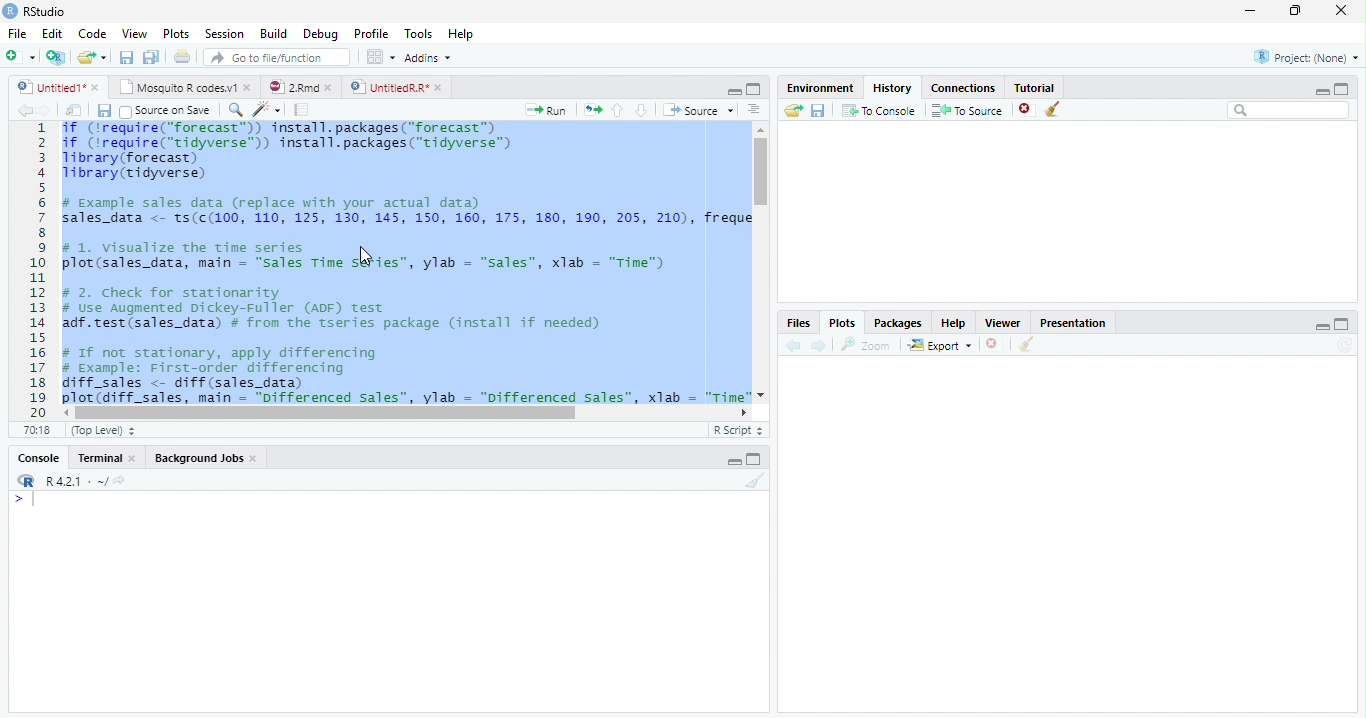 This screenshot has height=718, width=1366. What do you see at coordinates (45, 110) in the screenshot?
I see `Next` at bounding box center [45, 110].